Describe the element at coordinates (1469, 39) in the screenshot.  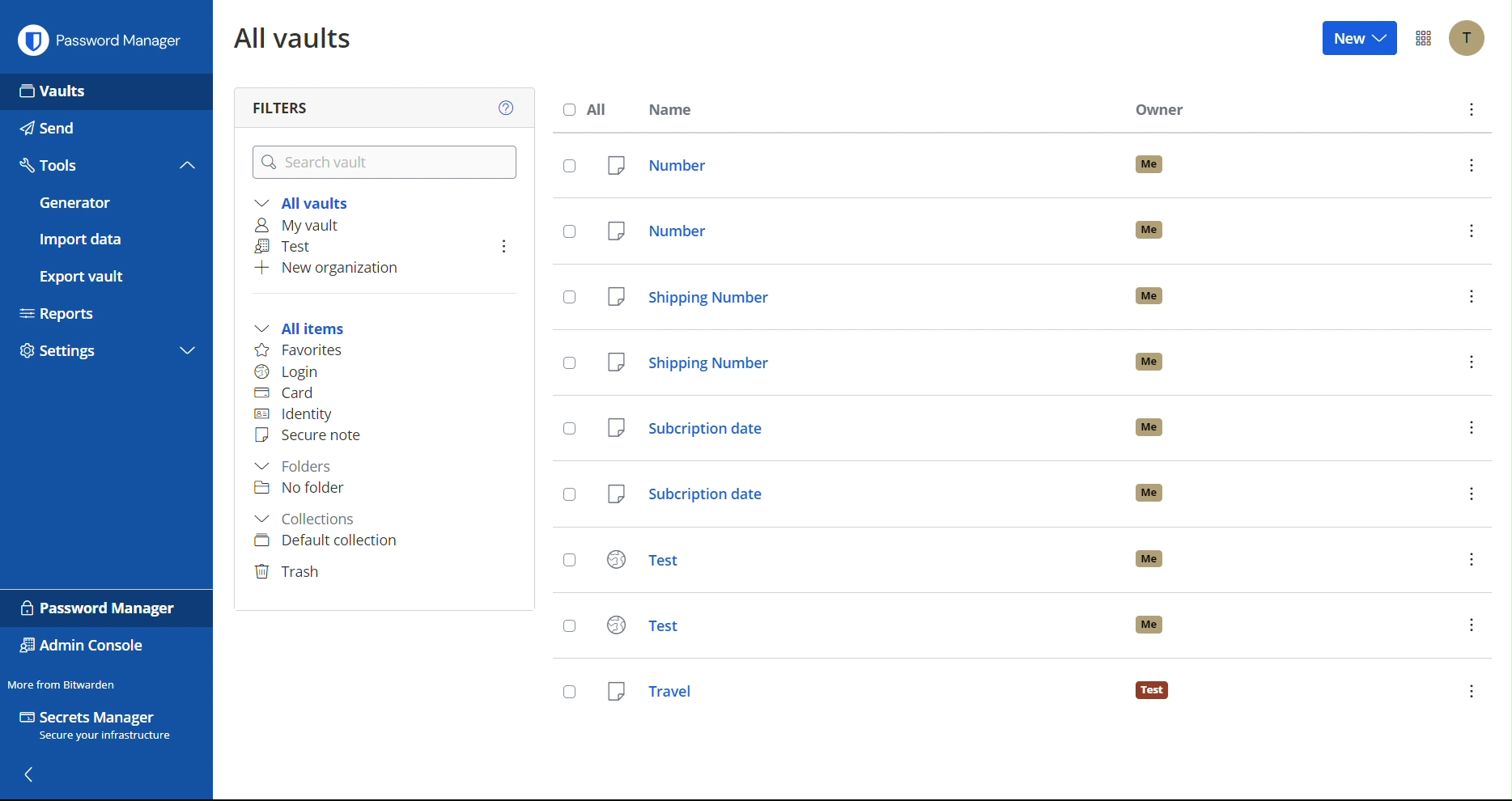
I see `Account` at that location.